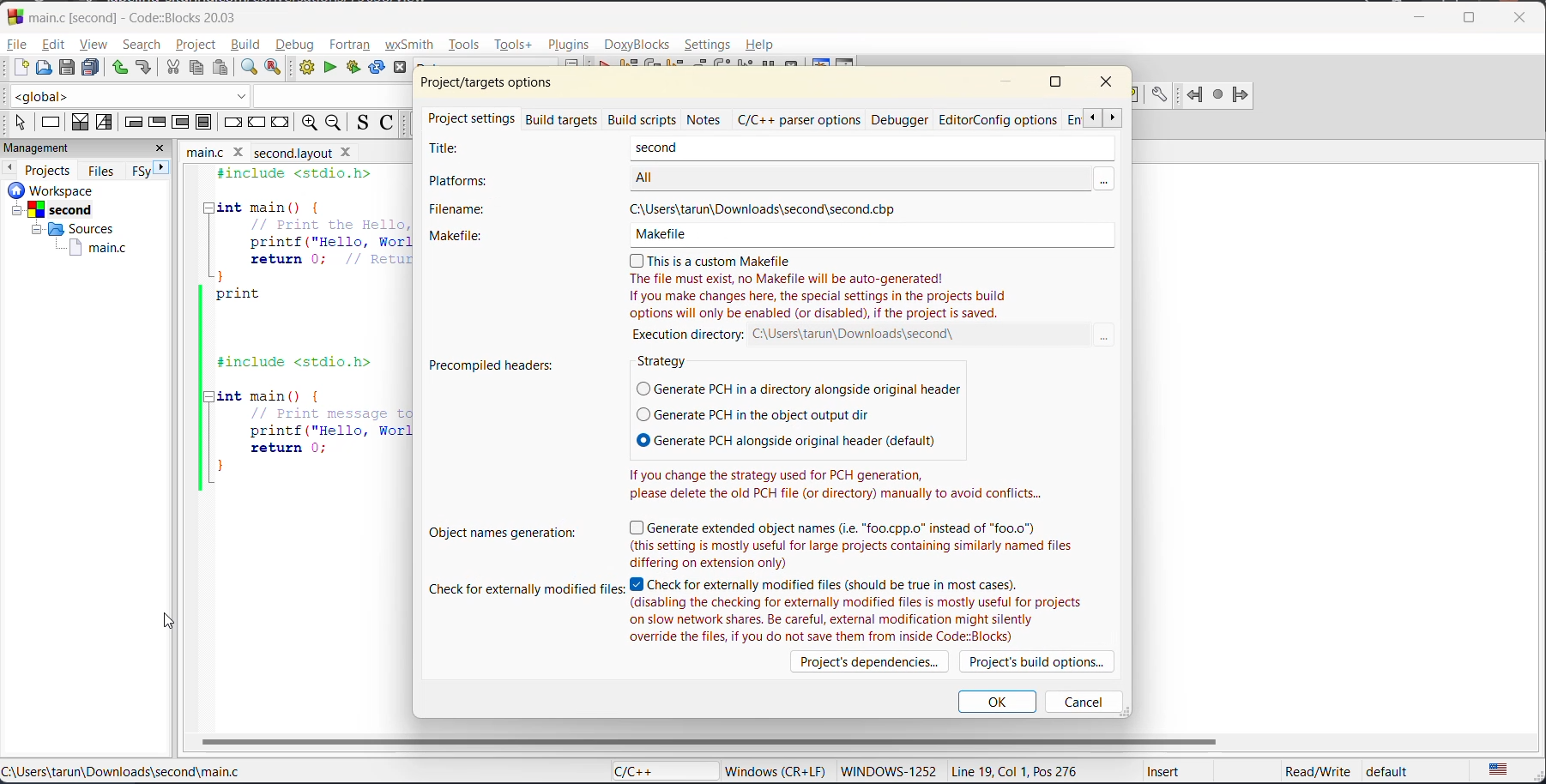 Image resolution: width=1546 pixels, height=784 pixels. Describe the element at coordinates (856, 543) in the screenshot. I see `generate extended object names` at that location.